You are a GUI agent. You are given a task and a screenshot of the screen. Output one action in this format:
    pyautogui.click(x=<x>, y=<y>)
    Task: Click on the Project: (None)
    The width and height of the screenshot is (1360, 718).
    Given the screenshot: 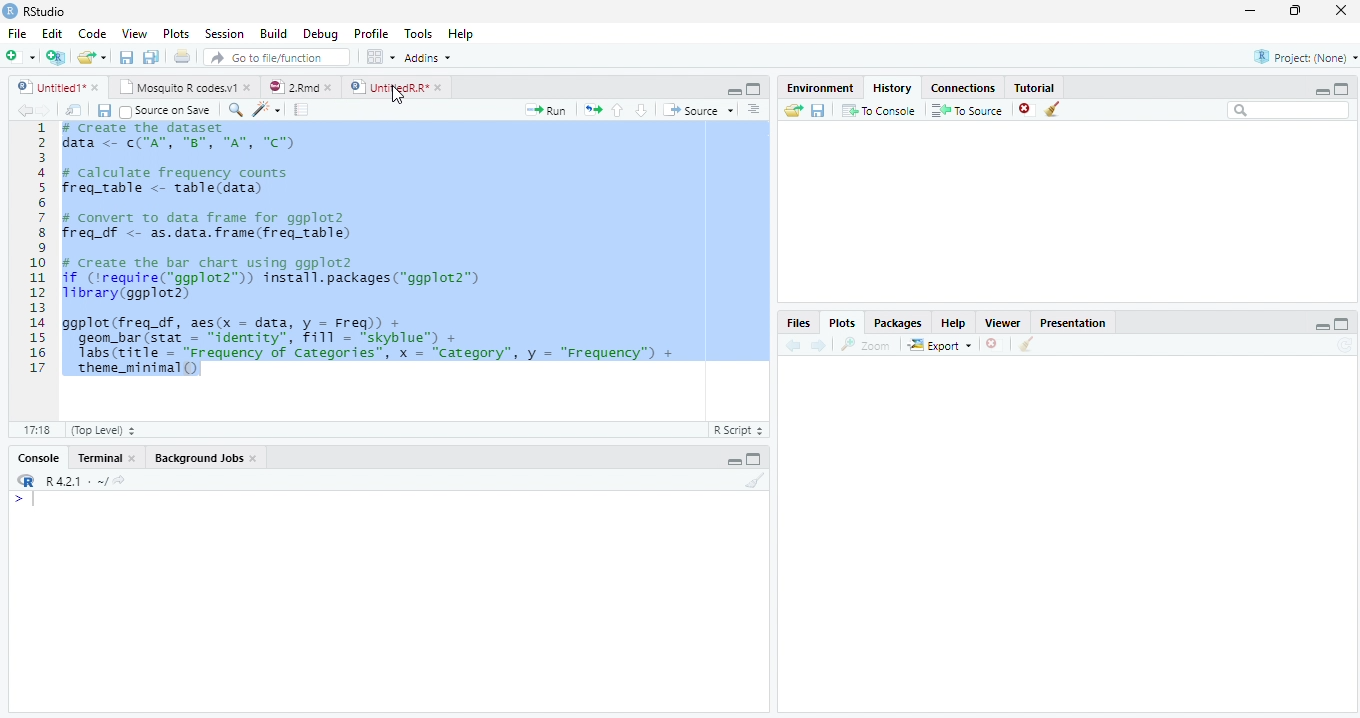 What is the action you would take?
    pyautogui.click(x=1299, y=59)
    